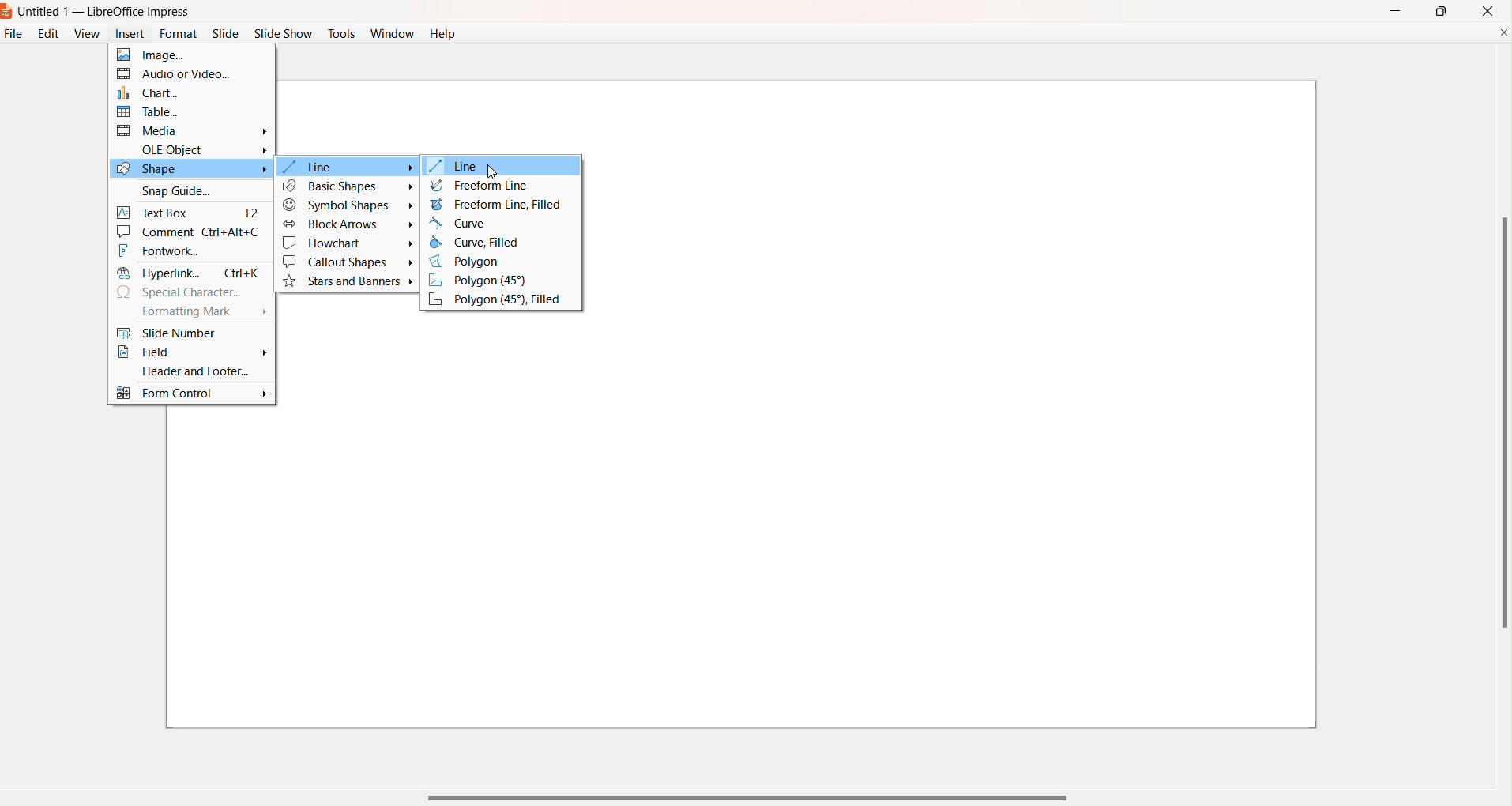 The height and width of the screenshot is (806, 1512). What do you see at coordinates (183, 73) in the screenshot?
I see `Audio or Video` at bounding box center [183, 73].